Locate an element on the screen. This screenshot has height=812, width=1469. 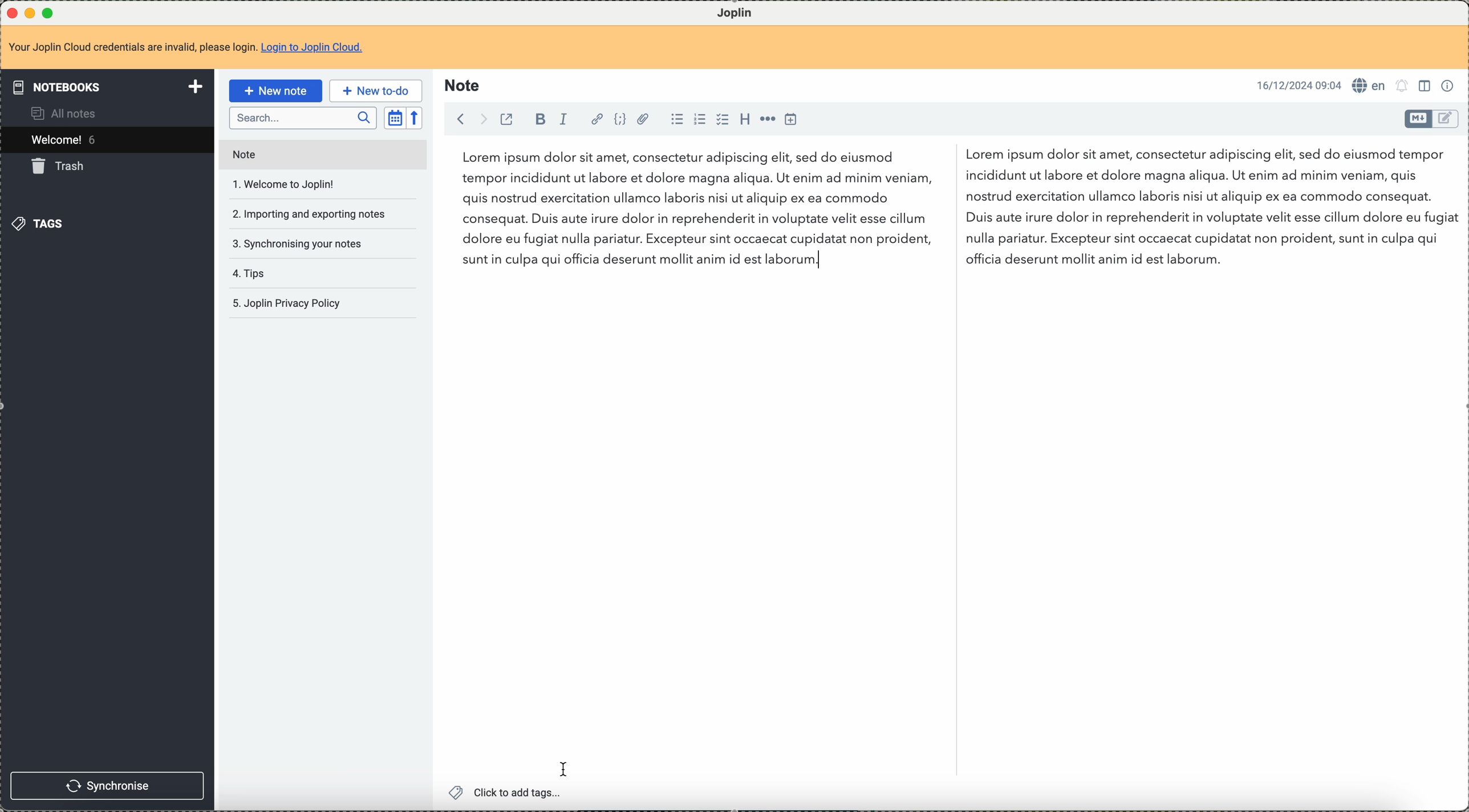
16/12/2024 09:04 is located at coordinates (1298, 84).